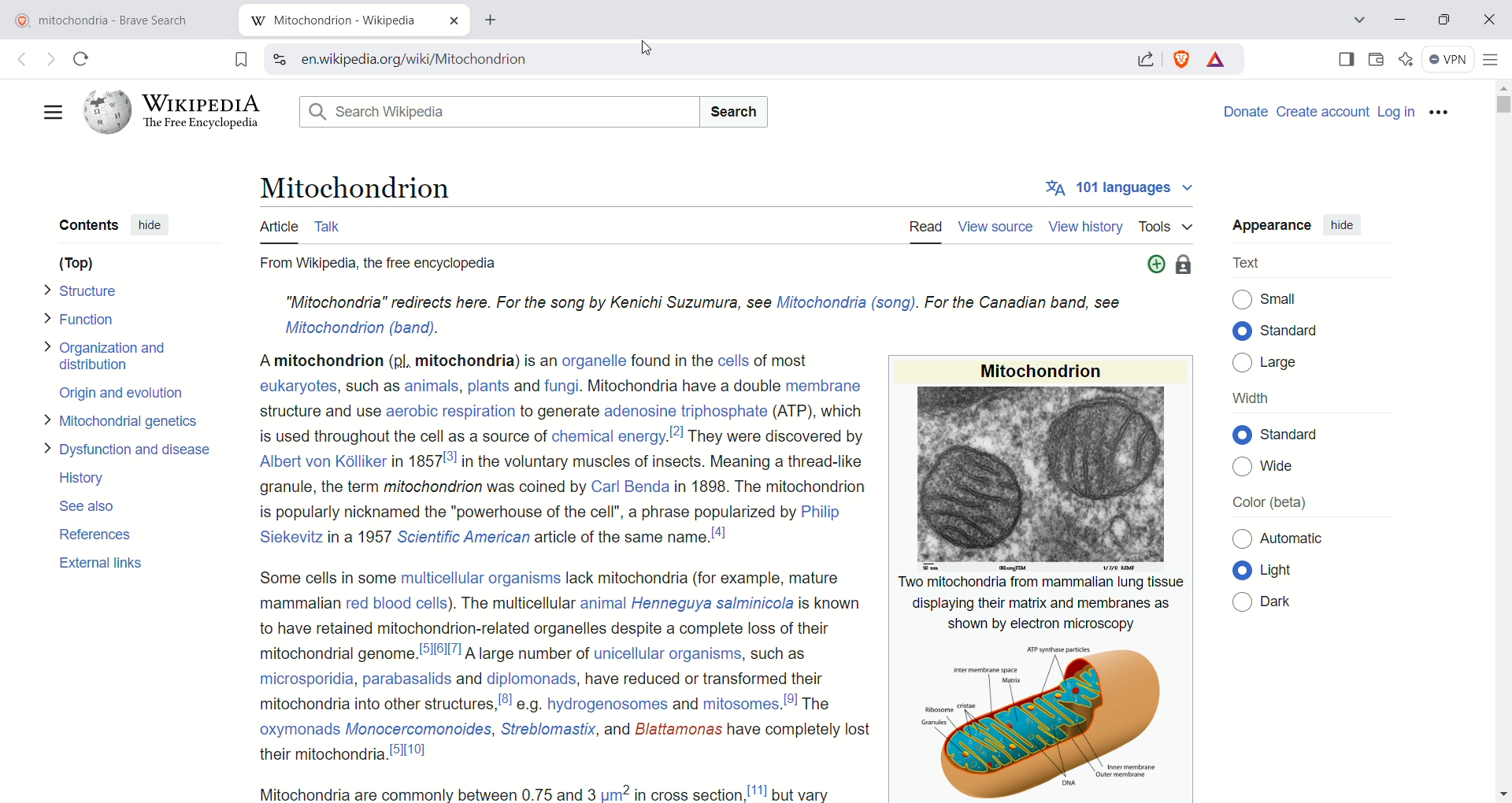 This screenshot has width=1512, height=803. Describe the element at coordinates (102, 534) in the screenshot. I see `References` at that location.